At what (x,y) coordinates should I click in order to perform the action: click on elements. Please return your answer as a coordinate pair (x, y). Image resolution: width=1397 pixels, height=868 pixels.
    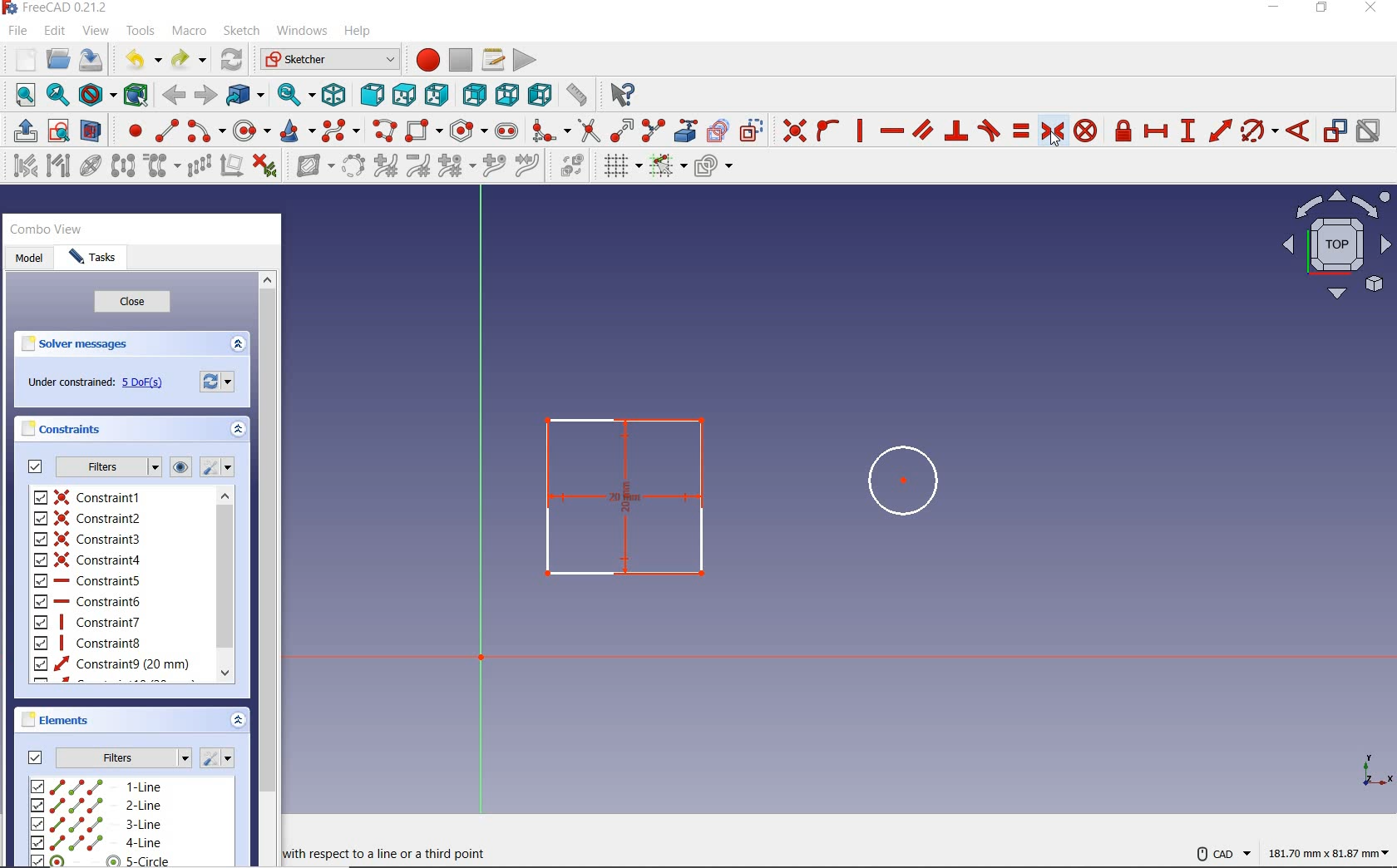
    Looking at the image, I should click on (71, 721).